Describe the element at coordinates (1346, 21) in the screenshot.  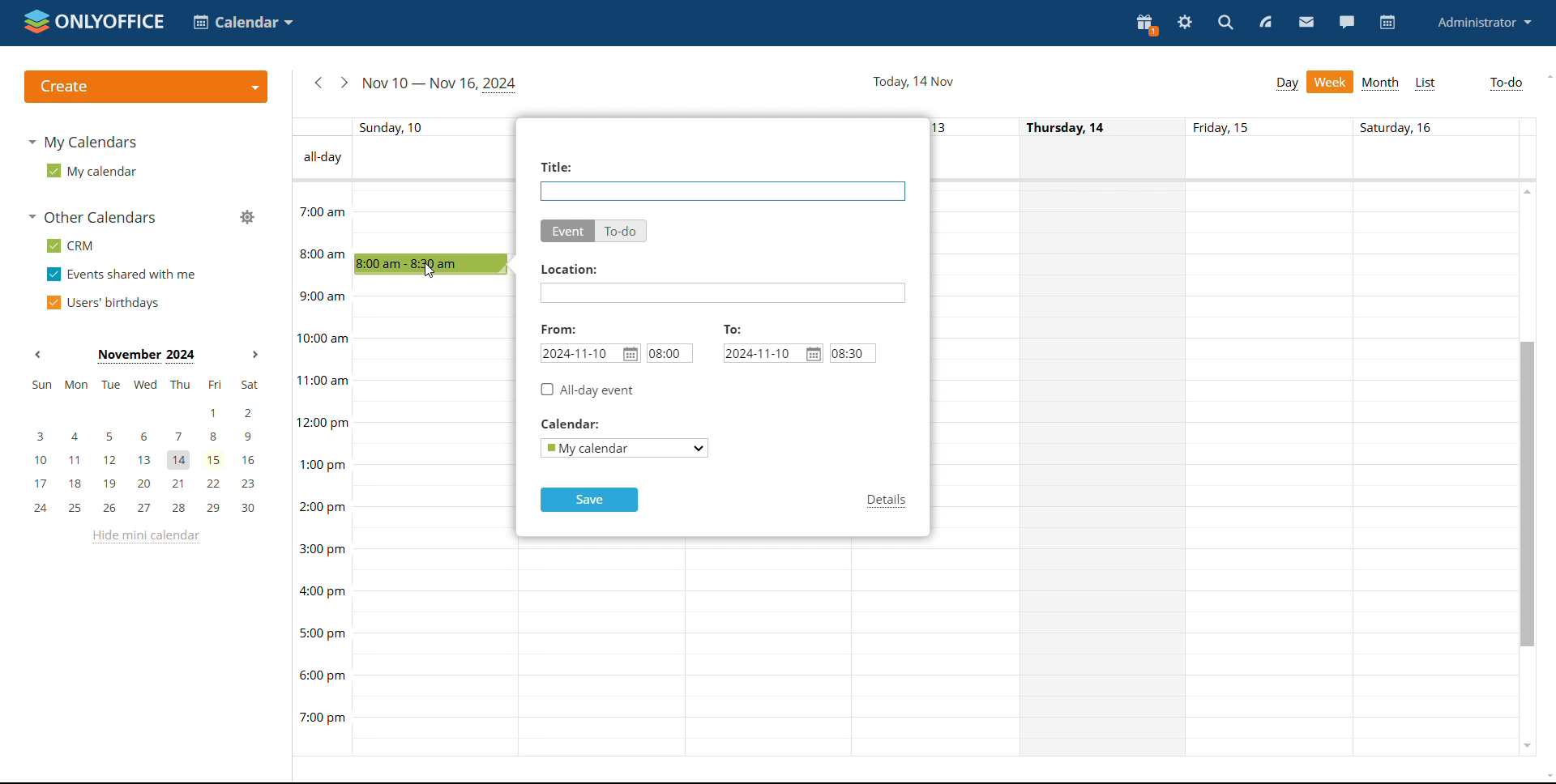
I see `chat` at that location.